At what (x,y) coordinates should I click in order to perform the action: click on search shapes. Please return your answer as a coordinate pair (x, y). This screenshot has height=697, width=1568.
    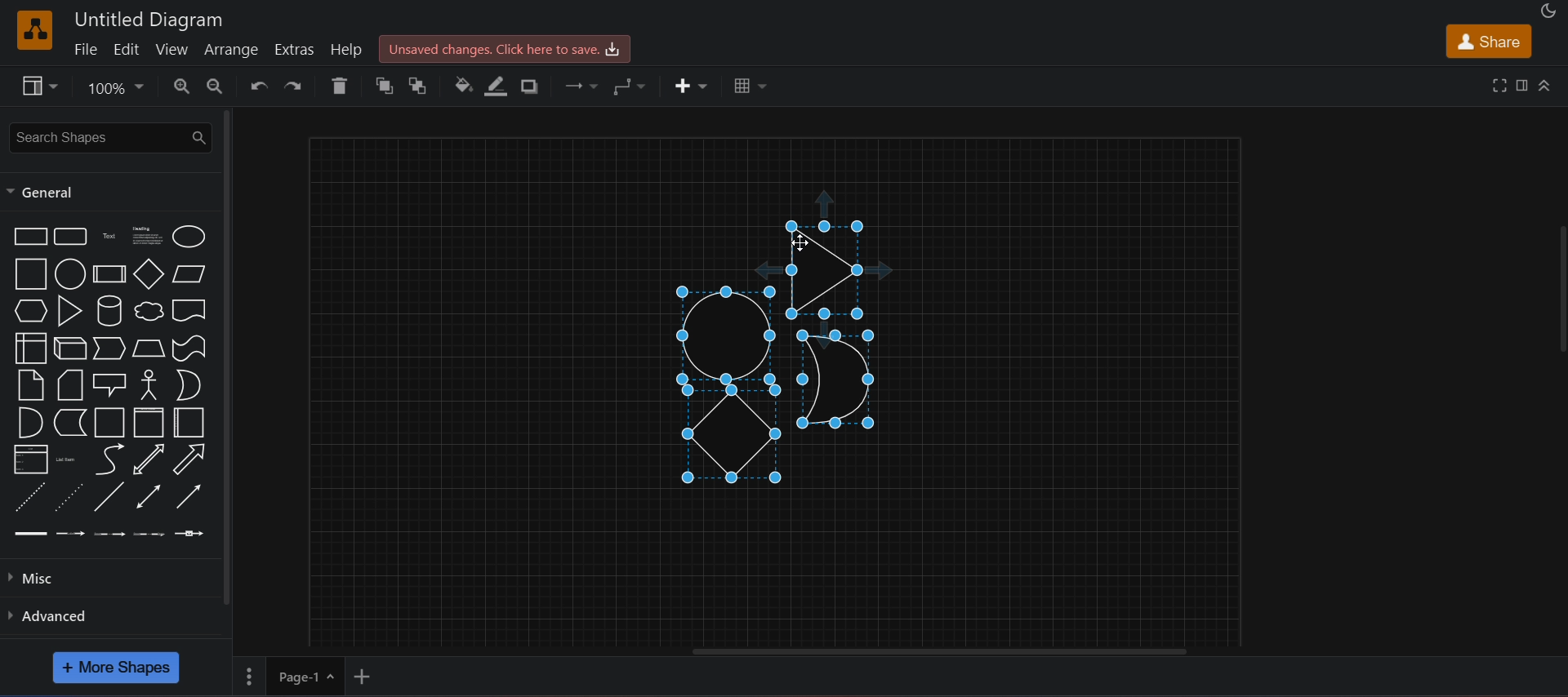
    Looking at the image, I should click on (109, 136).